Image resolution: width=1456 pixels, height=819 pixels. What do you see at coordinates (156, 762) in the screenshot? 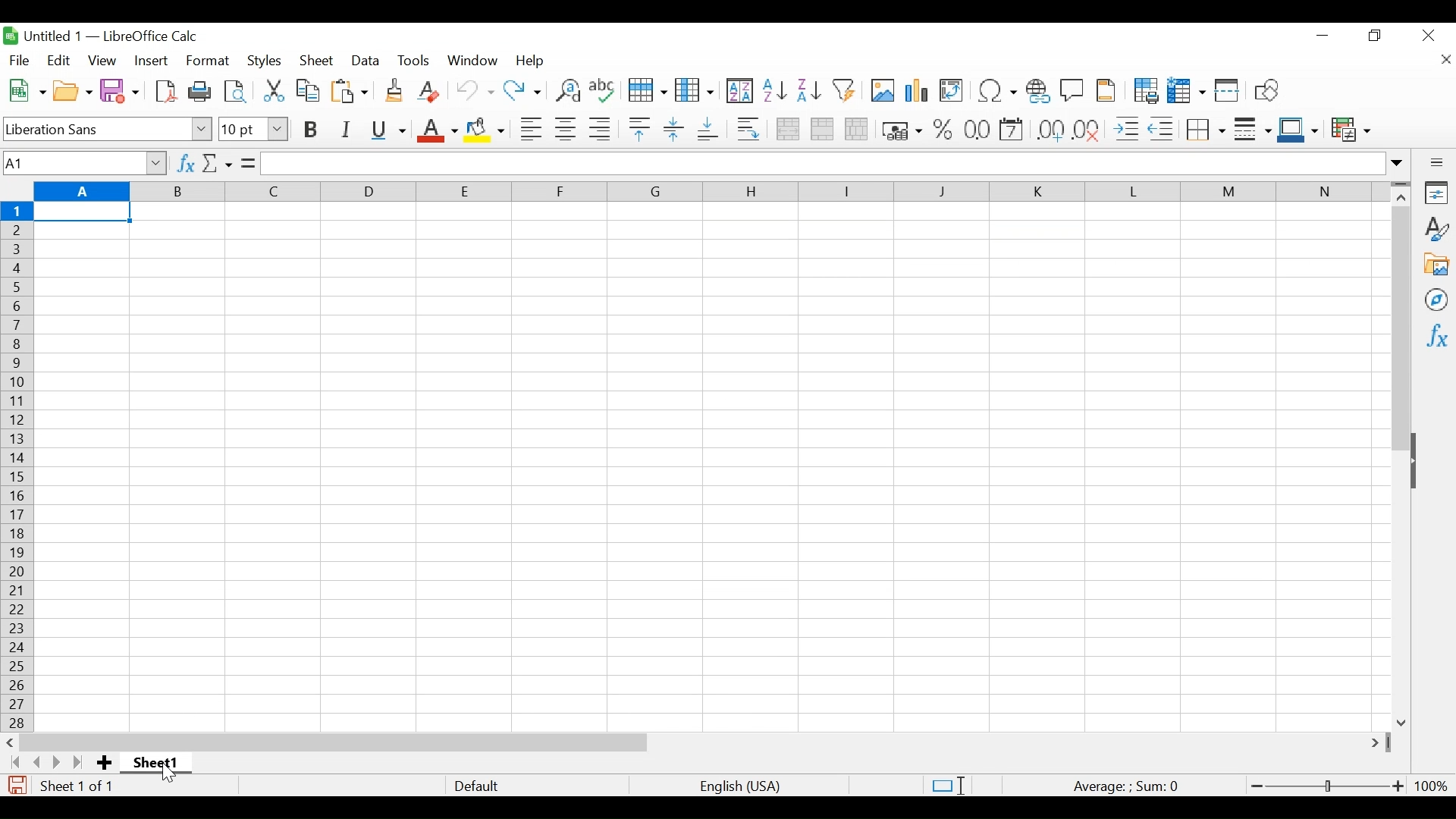
I see `Sheet name` at bounding box center [156, 762].